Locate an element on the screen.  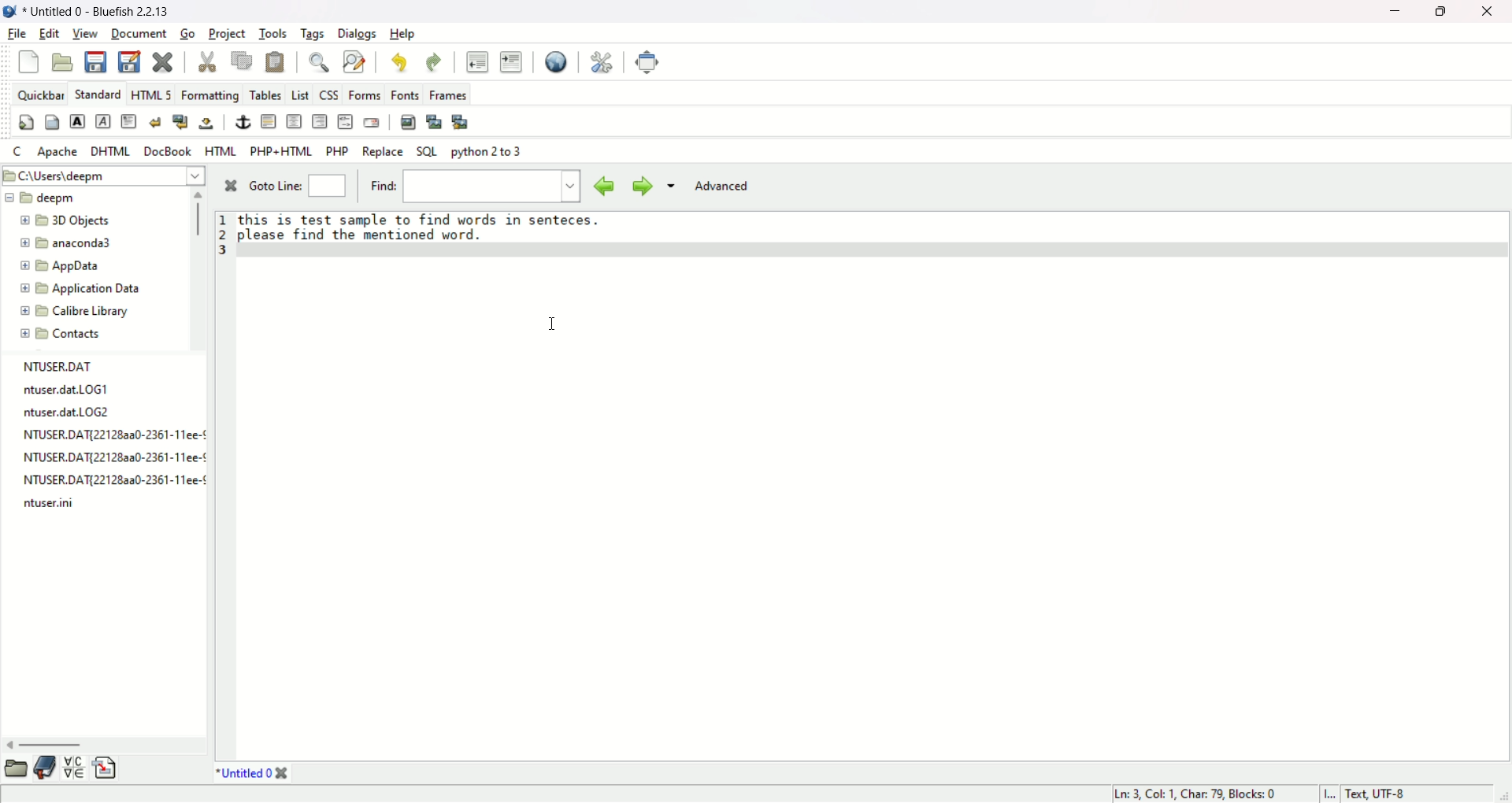
new is located at coordinates (29, 61).